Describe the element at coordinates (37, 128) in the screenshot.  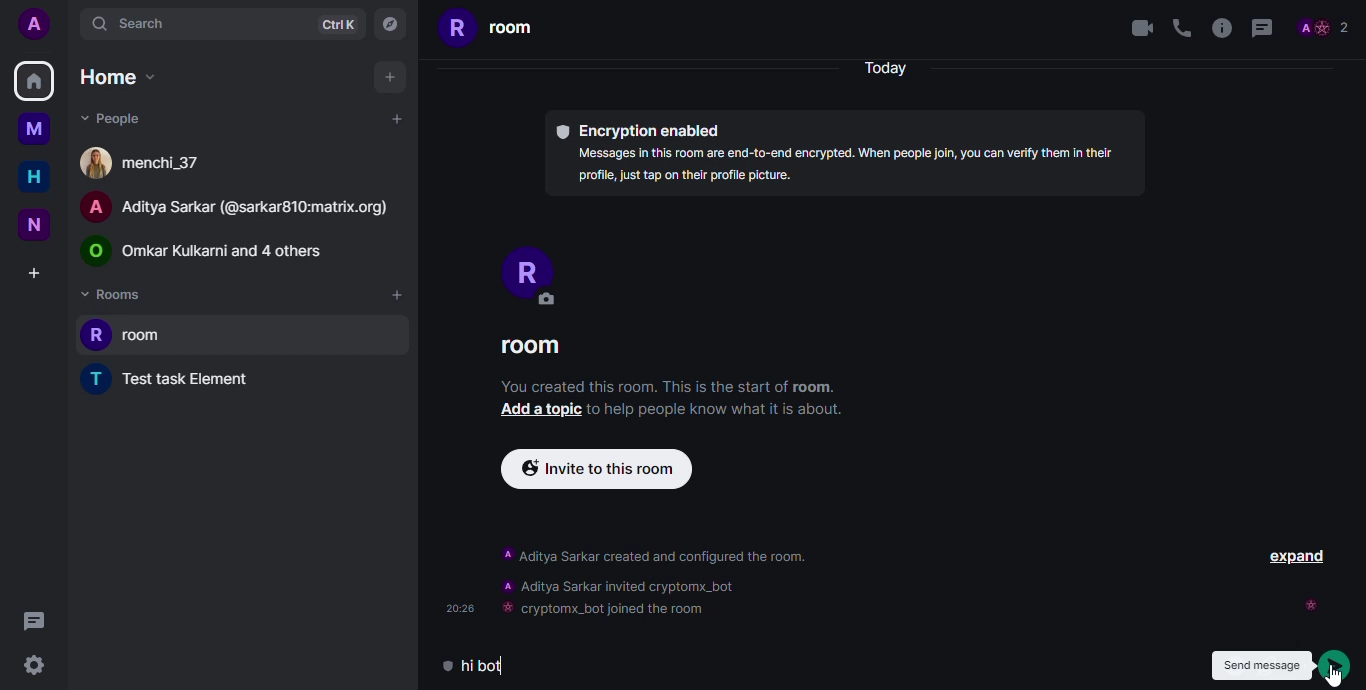
I see `myspace` at that location.